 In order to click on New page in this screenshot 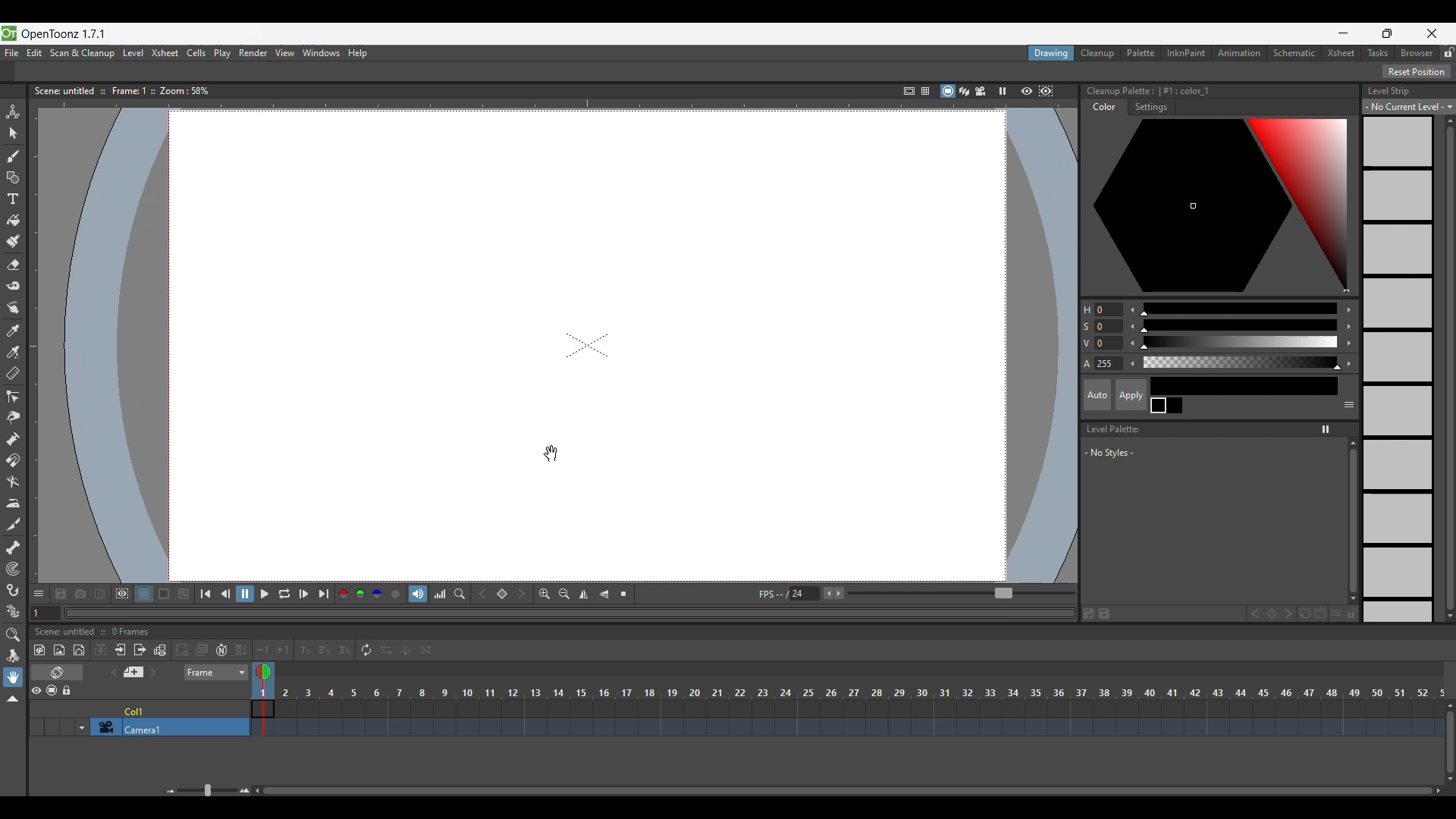, I will do `click(1306, 613)`.